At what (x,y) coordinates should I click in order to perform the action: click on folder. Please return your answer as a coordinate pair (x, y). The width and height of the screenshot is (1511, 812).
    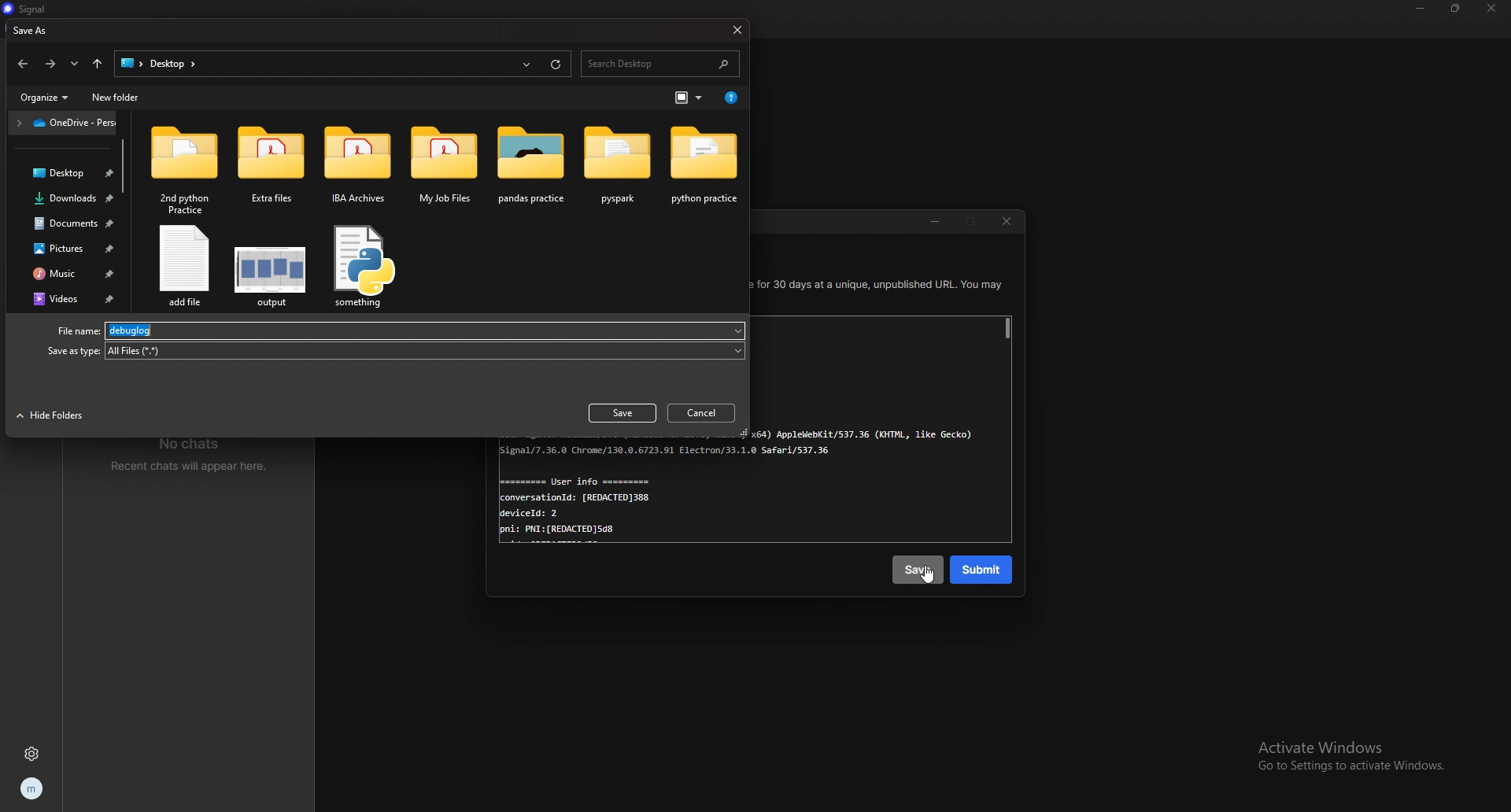
    Looking at the image, I should click on (63, 124).